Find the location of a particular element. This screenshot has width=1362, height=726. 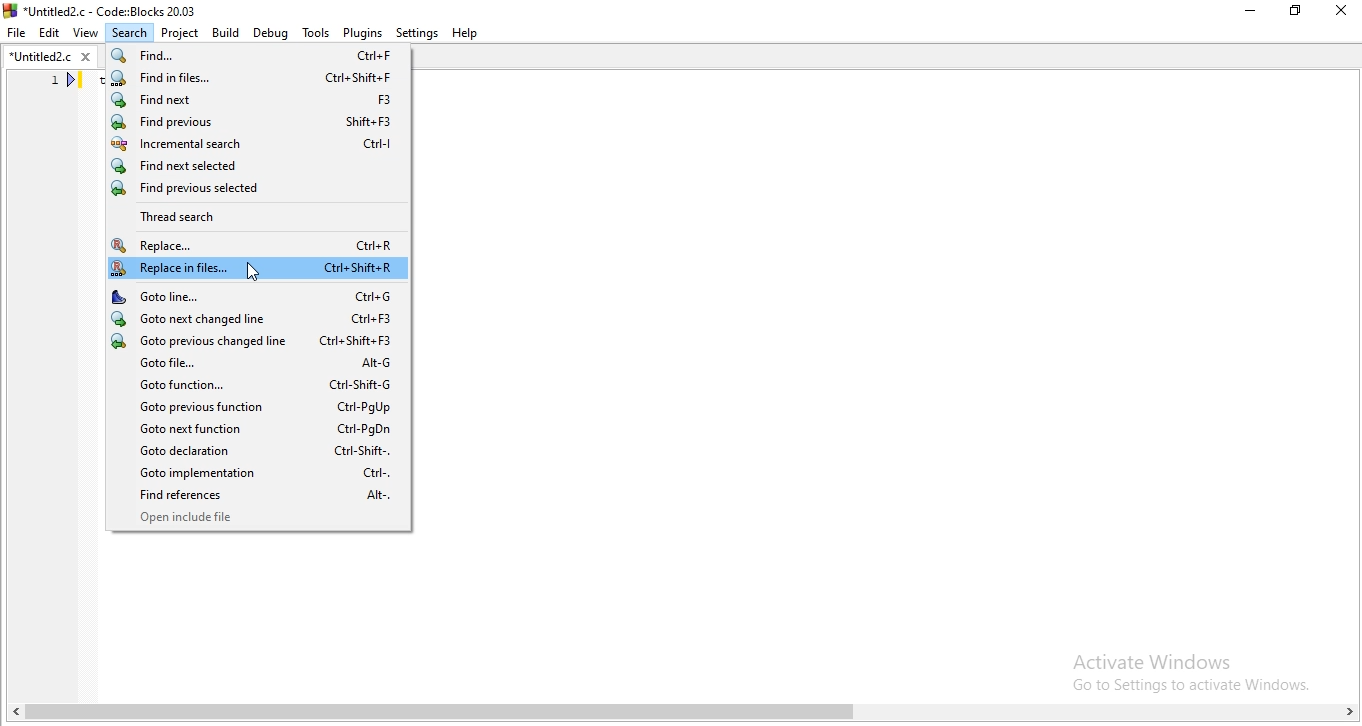

line number is located at coordinates (65, 83).